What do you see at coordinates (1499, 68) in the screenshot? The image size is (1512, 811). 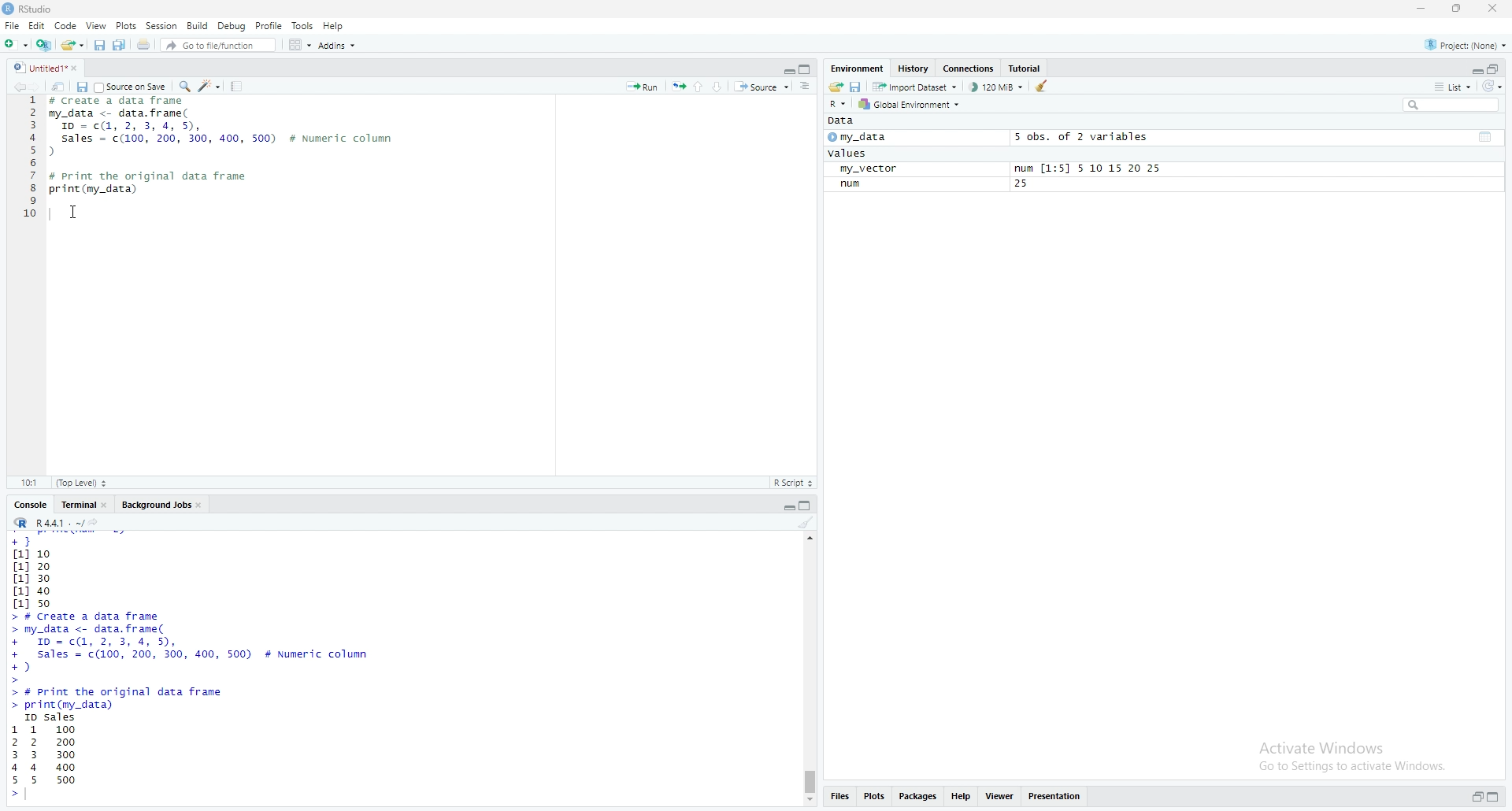 I see `maximize` at bounding box center [1499, 68].